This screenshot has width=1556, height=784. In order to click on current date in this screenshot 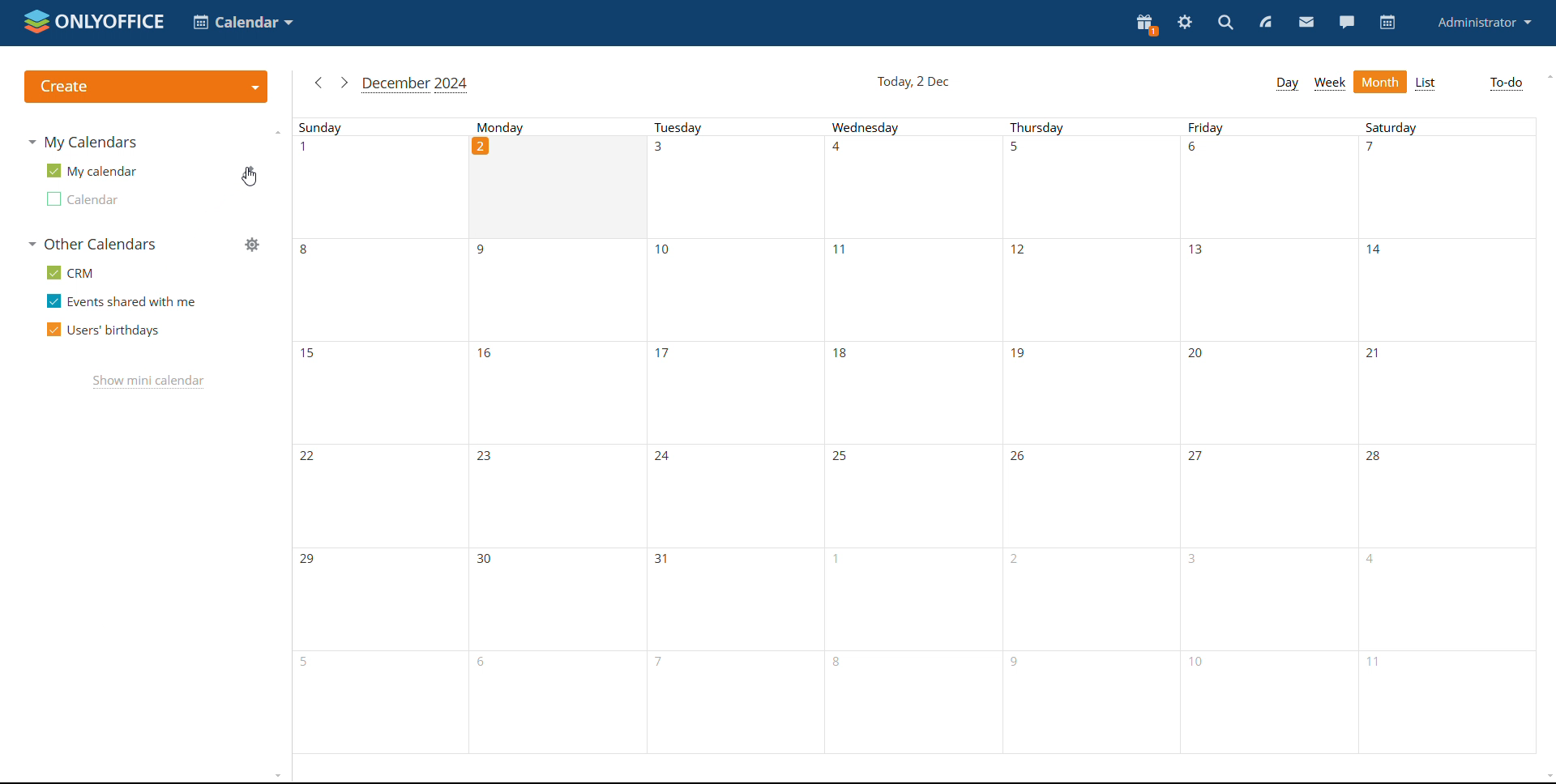, I will do `click(914, 83)`.